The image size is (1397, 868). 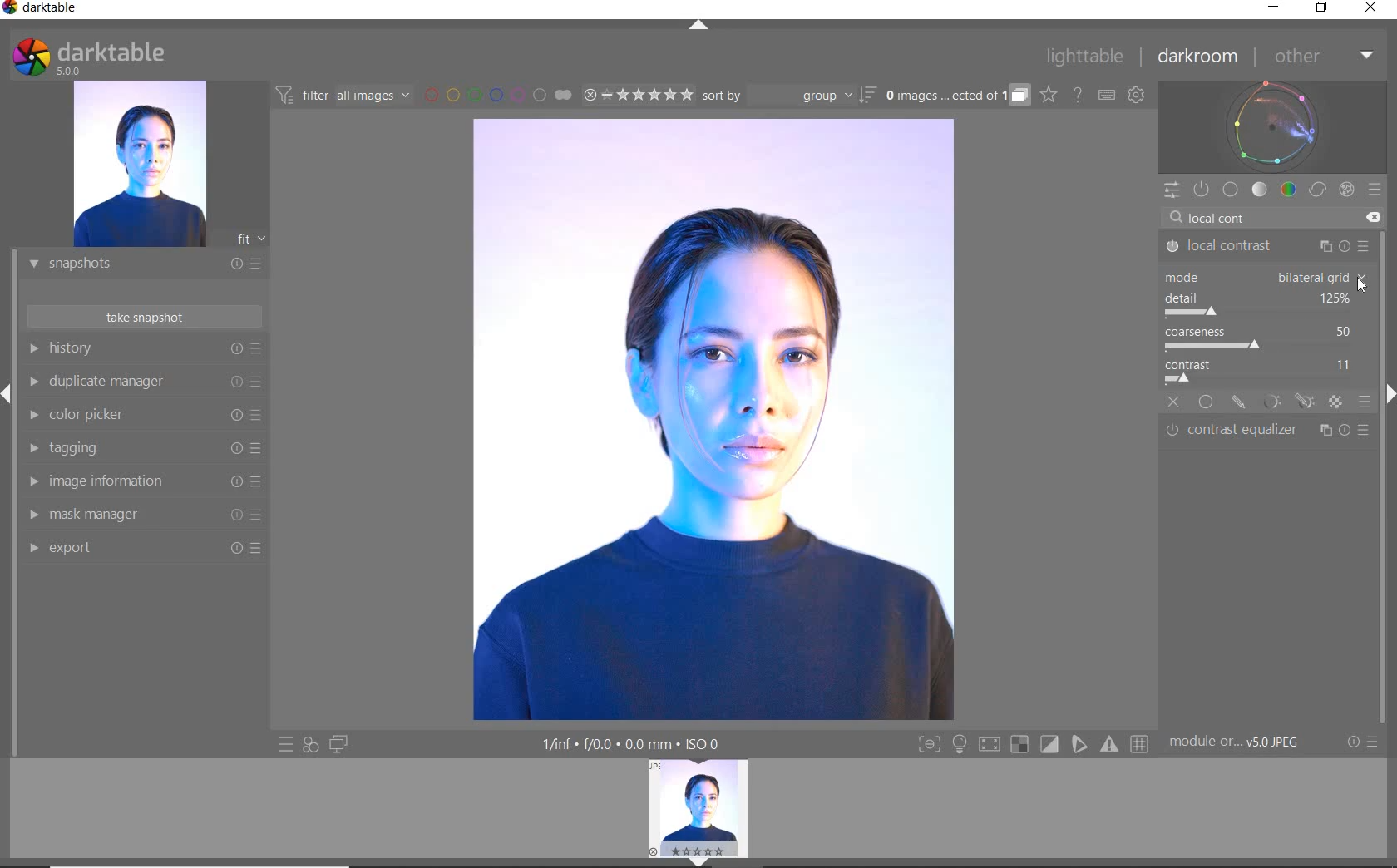 What do you see at coordinates (1289, 189) in the screenshot?
I see `COLOR` at bounding box center [1289, 189].